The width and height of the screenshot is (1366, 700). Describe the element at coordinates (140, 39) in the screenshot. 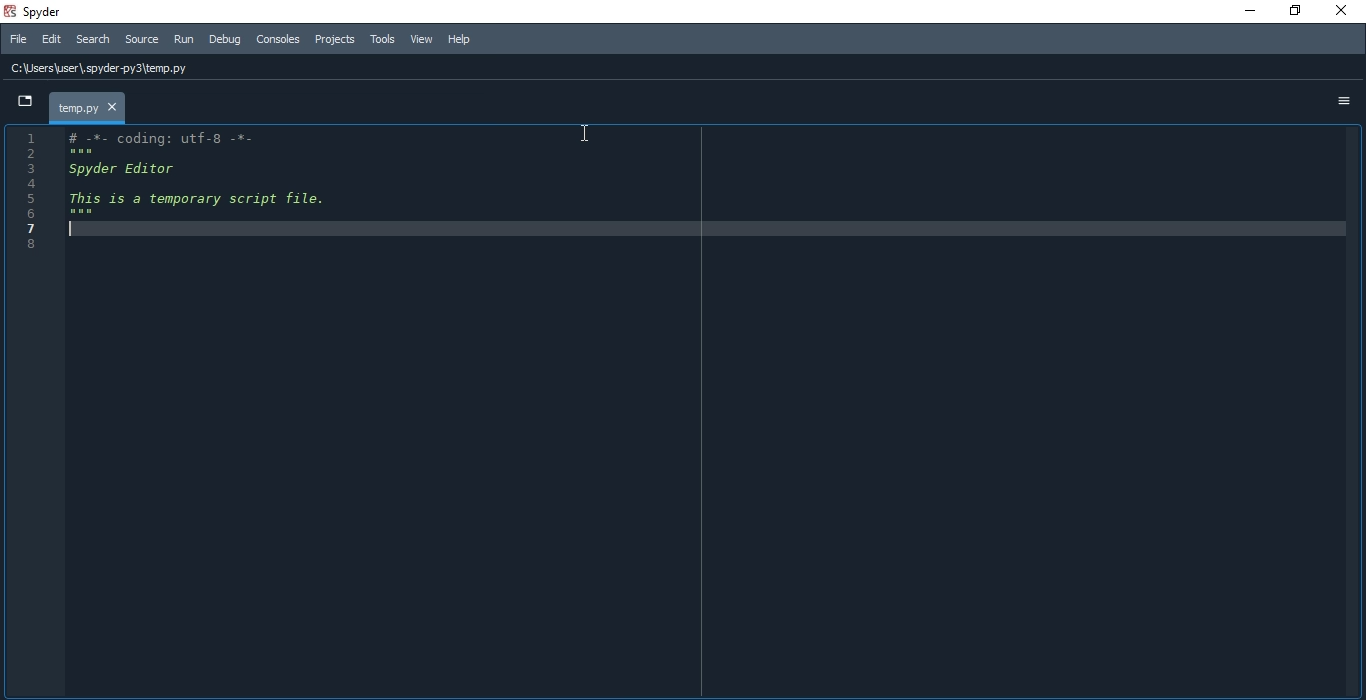

I see `source` at that location.